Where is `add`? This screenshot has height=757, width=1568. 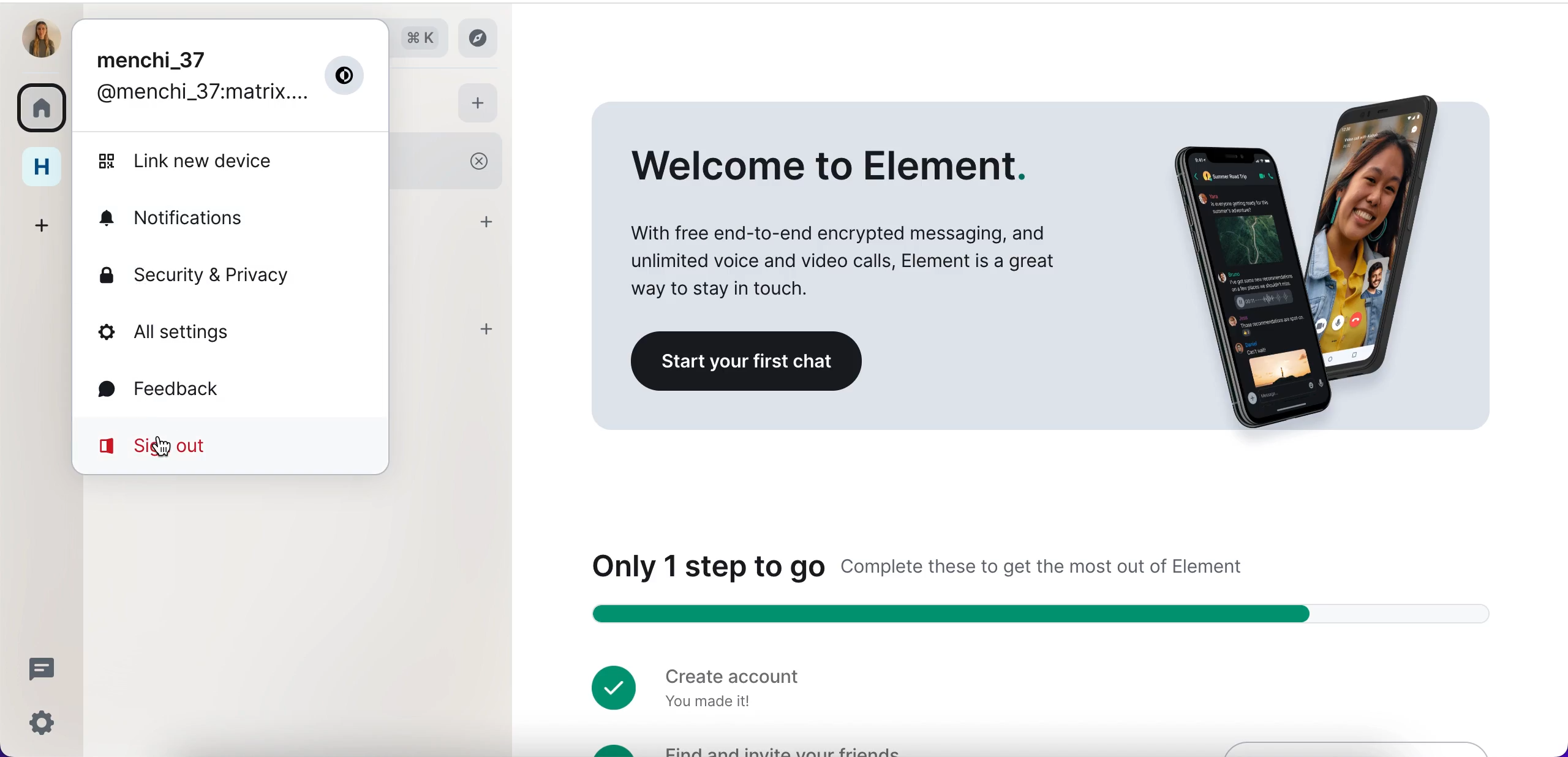
add is located at coordinates (485, 330).